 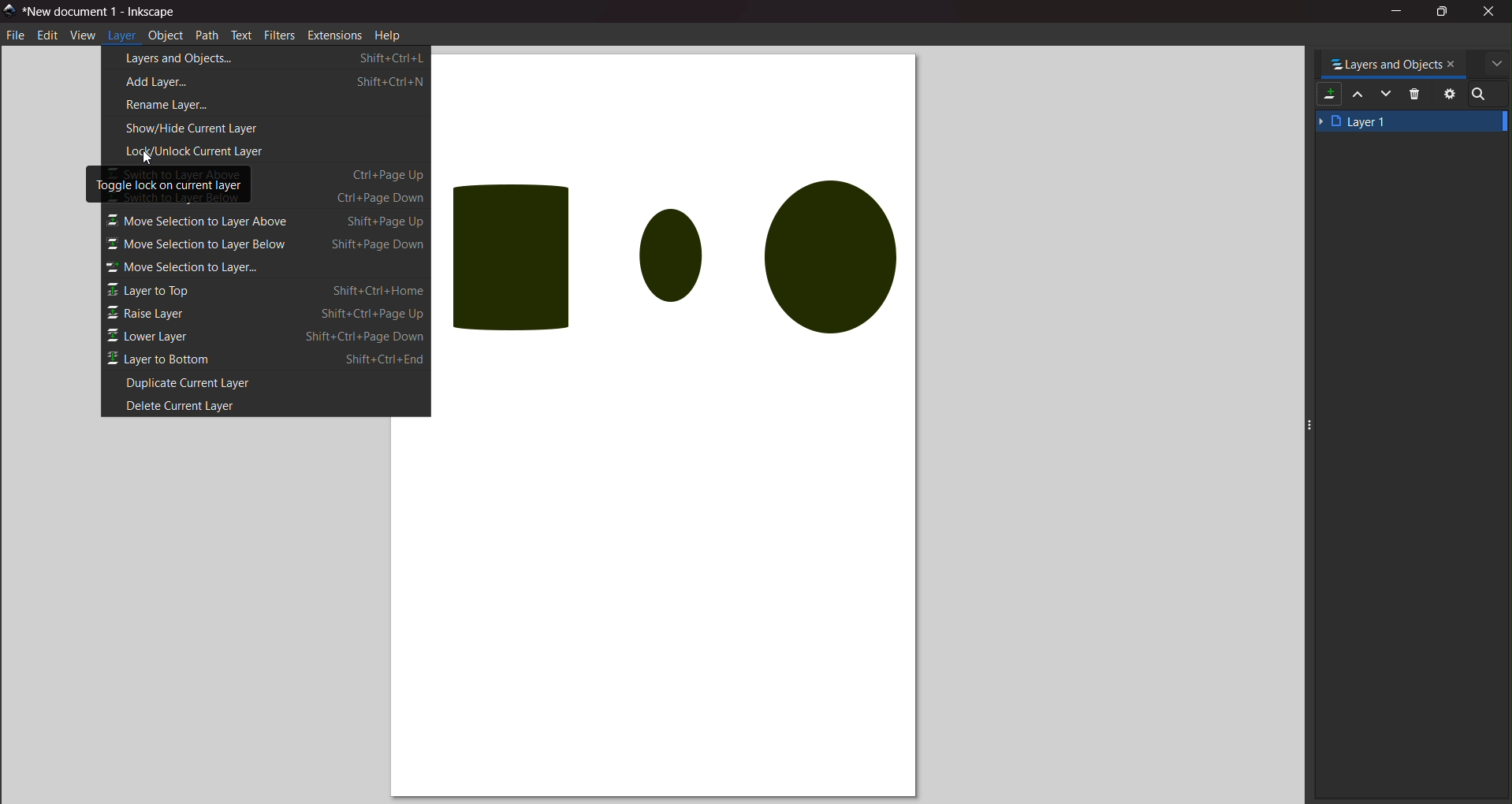 I want to click on delete, so click(x=1417, y=93).